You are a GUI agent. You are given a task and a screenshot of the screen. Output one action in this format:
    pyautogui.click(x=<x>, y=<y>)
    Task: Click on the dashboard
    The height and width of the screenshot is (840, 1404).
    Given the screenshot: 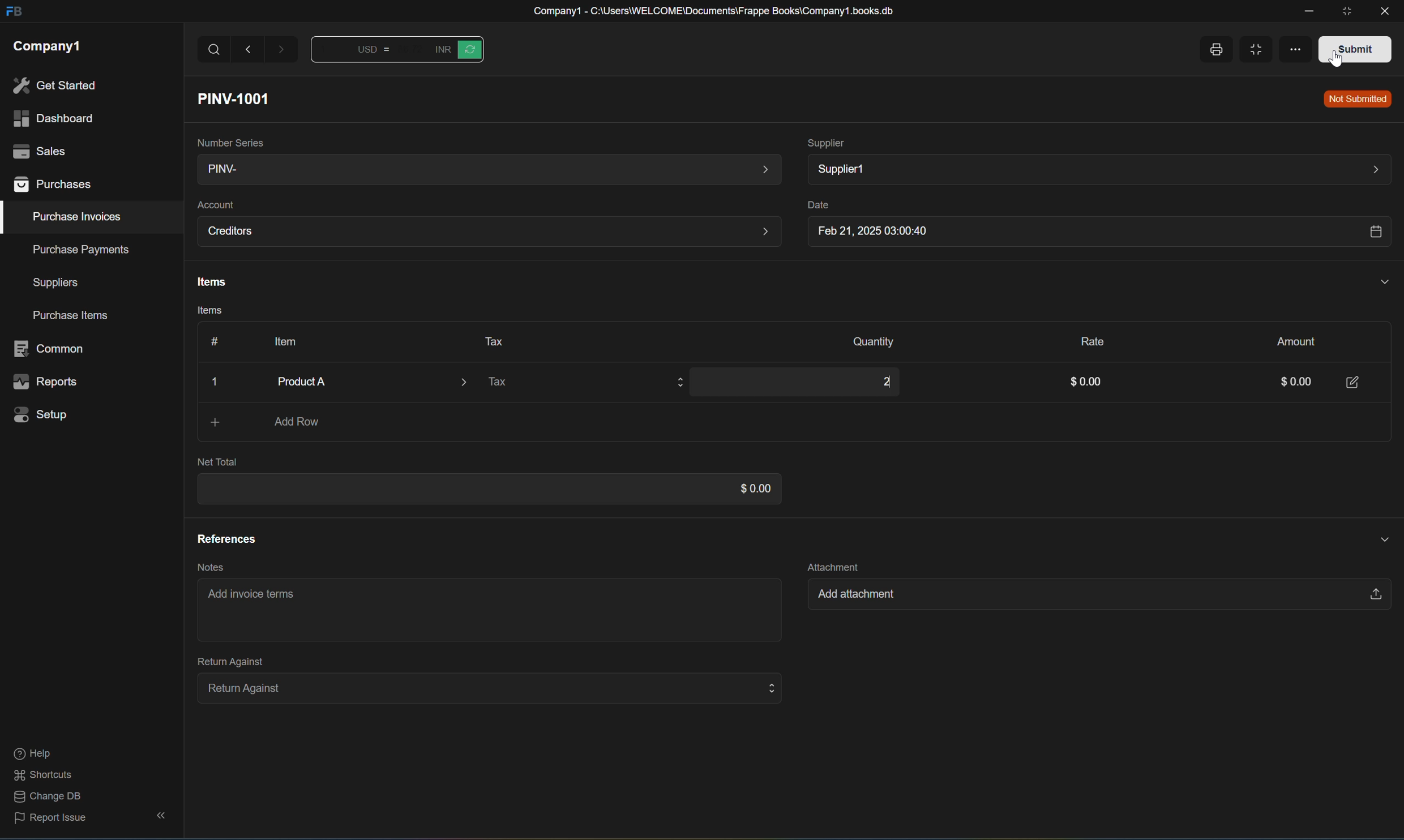 What is the action you would take?
    pyautogui.click(x=52, y=119)
    